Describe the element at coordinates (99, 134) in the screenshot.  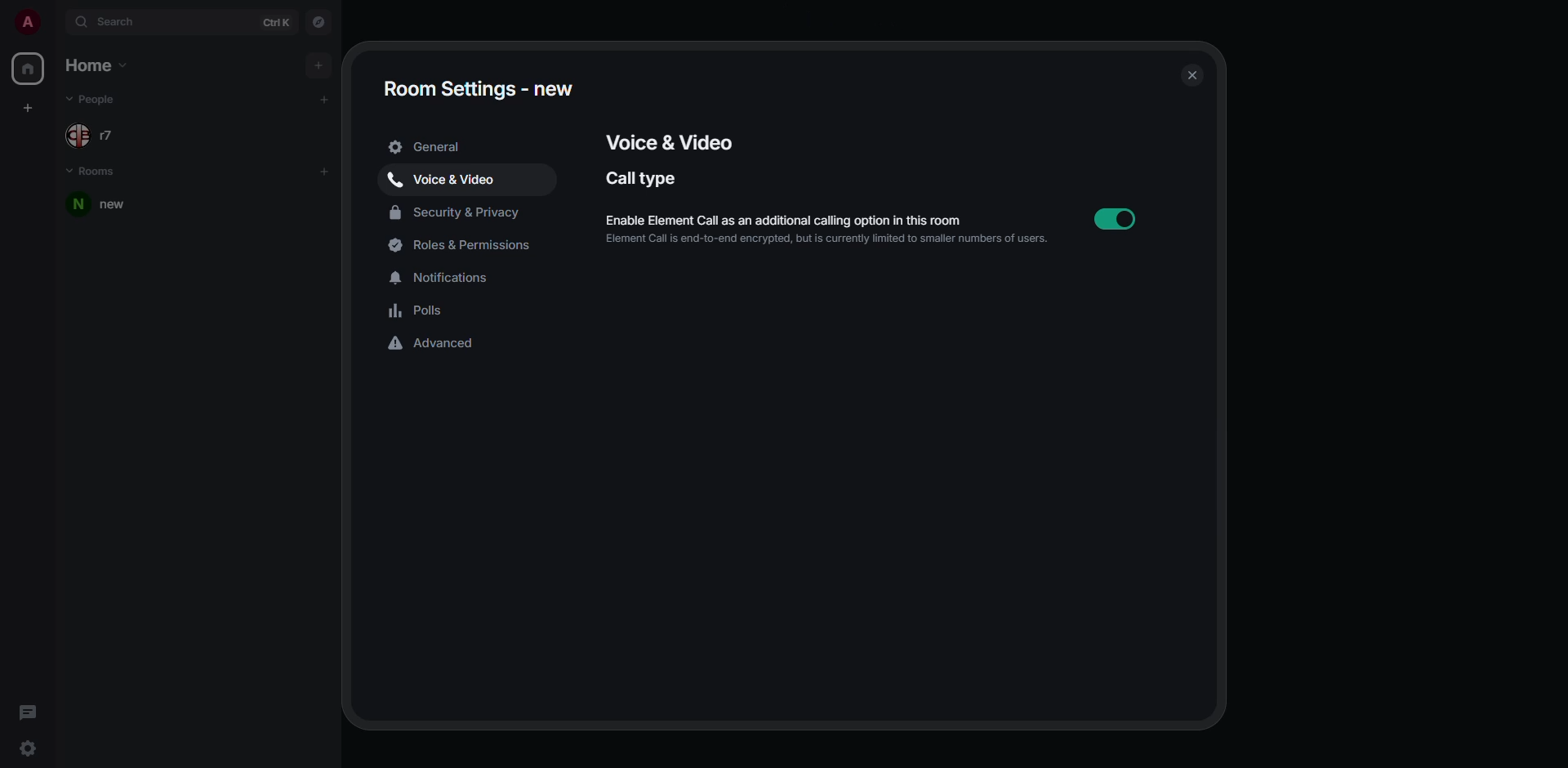
I see `people` at that location.